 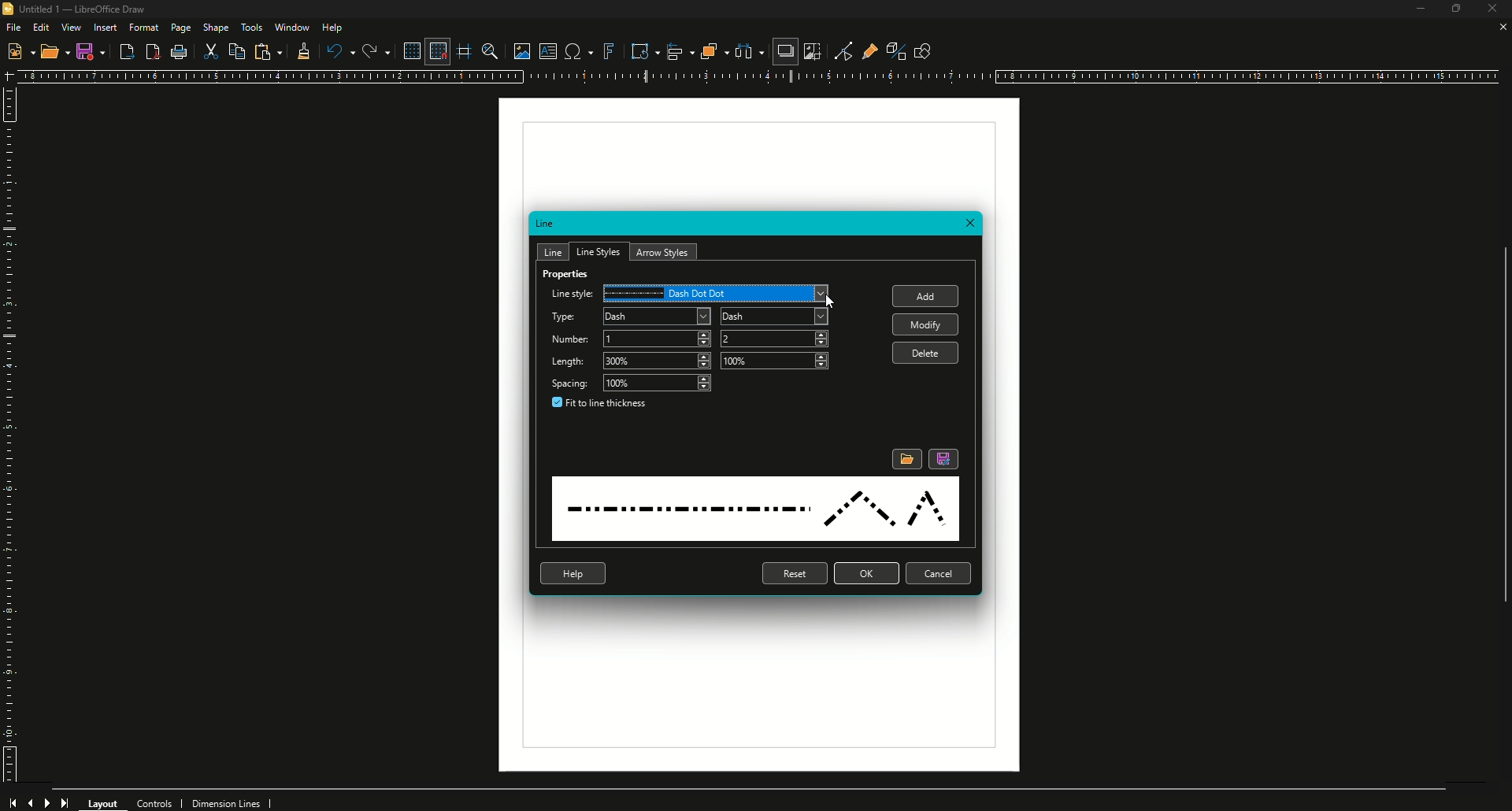 What do you see at coordinates (71, 28) in the screenshot?
I see `View` at bounding box center [71, 28].